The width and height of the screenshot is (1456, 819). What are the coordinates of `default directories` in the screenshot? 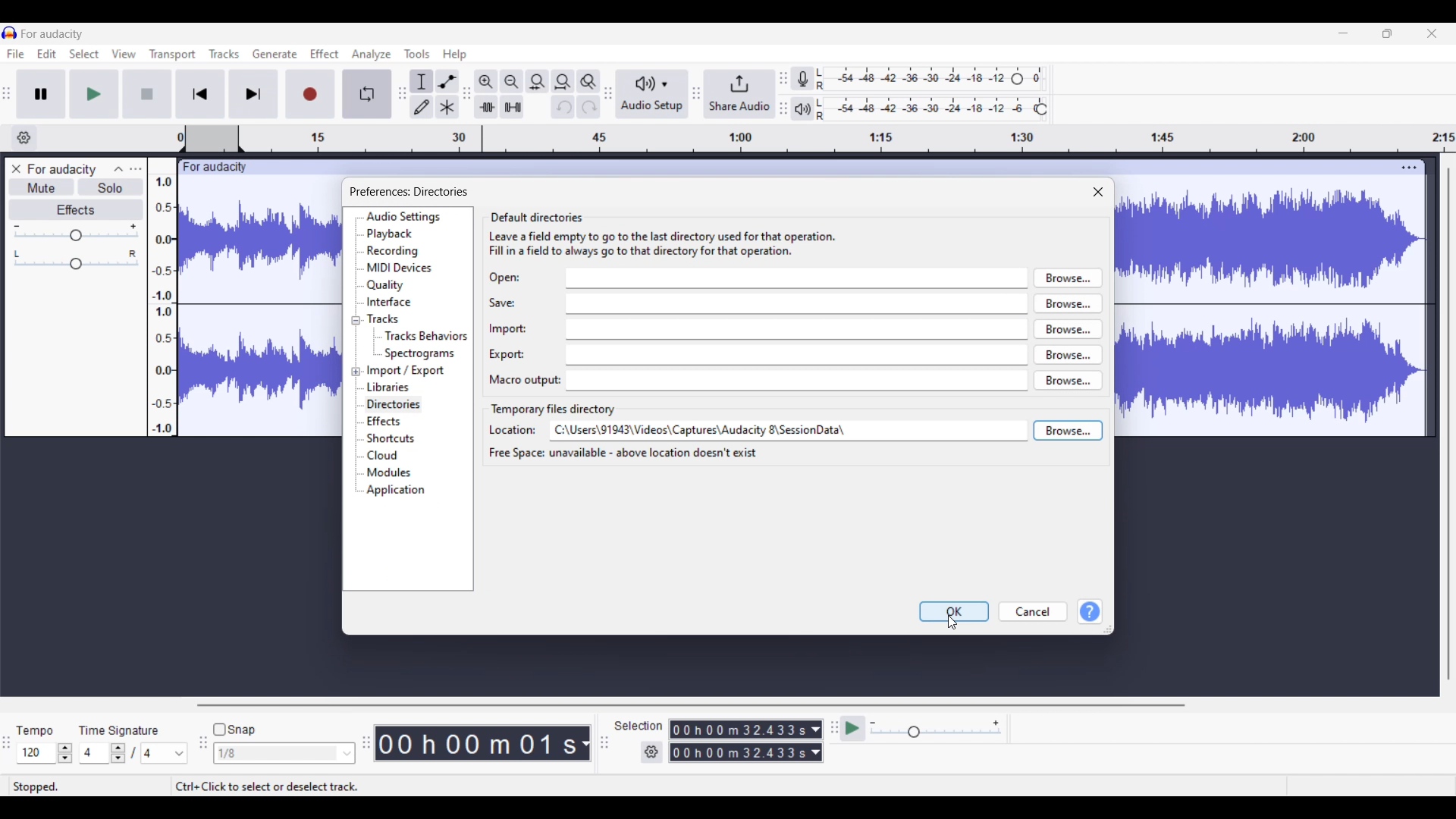 It's located at (541, 215).